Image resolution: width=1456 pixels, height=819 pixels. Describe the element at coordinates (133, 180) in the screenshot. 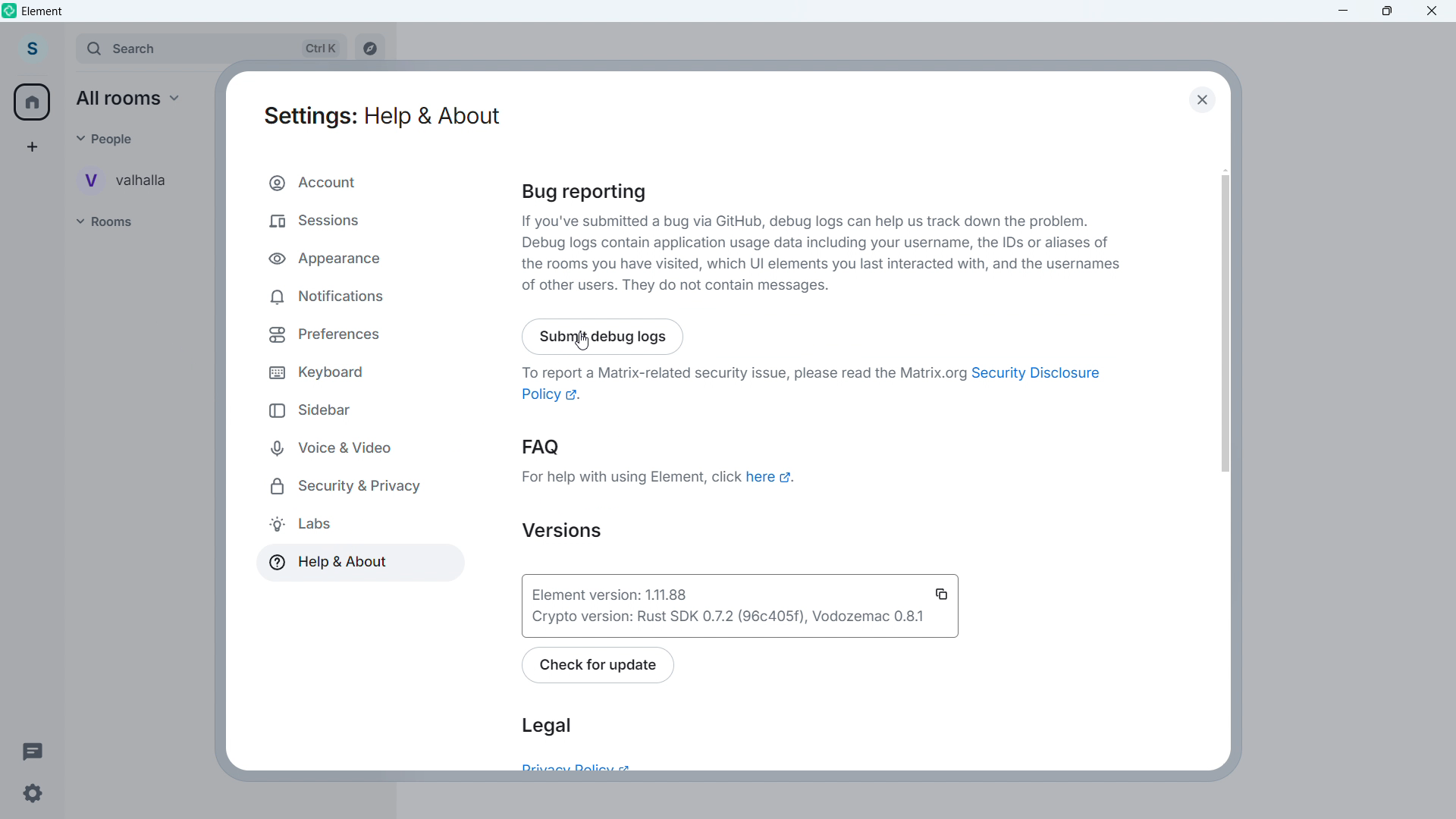

I see `Personal room ` at that location.